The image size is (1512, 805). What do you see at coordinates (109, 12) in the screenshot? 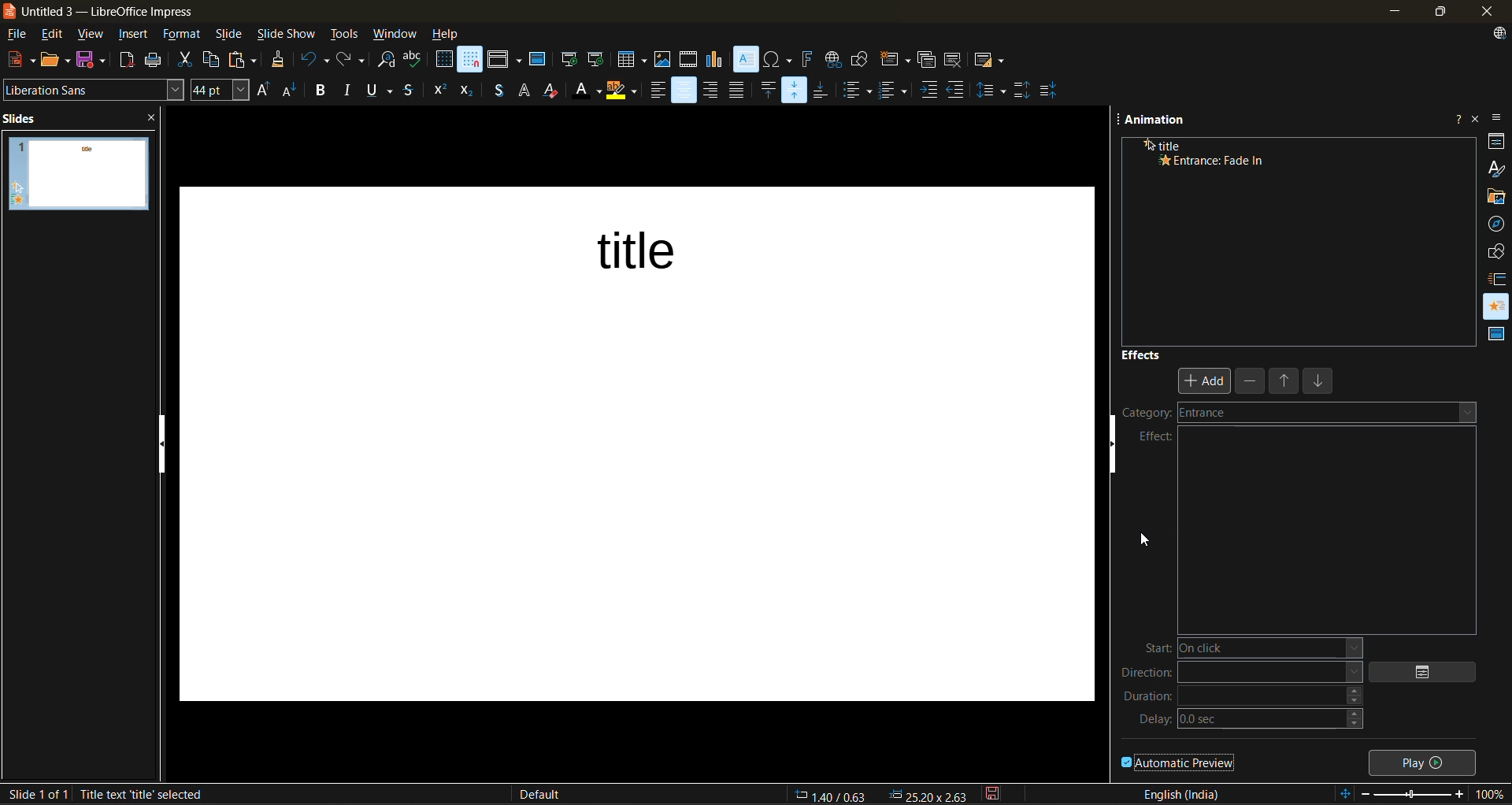
I see `app name and file name` at bounding box center [109, 12].